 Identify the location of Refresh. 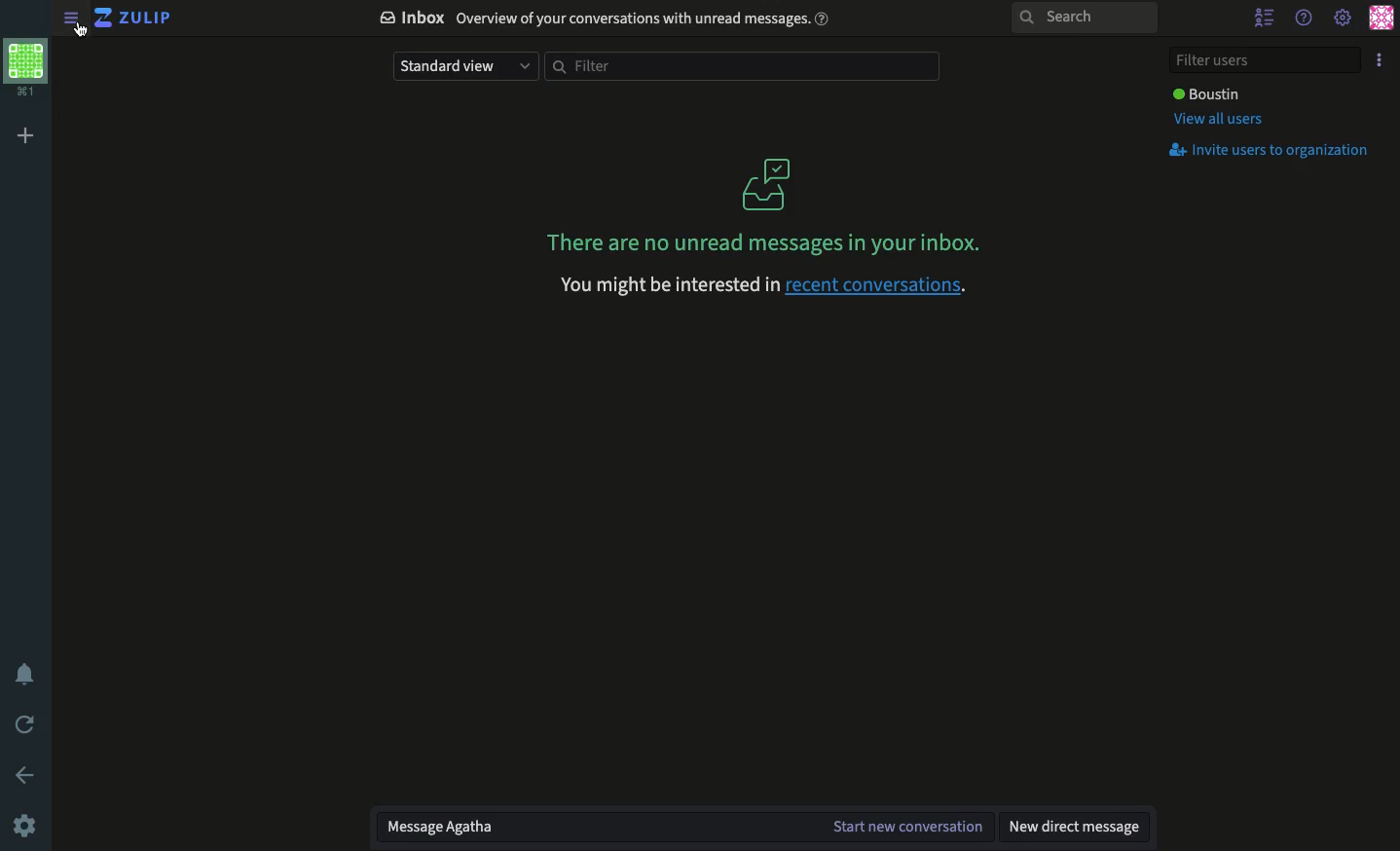
(22, 726).